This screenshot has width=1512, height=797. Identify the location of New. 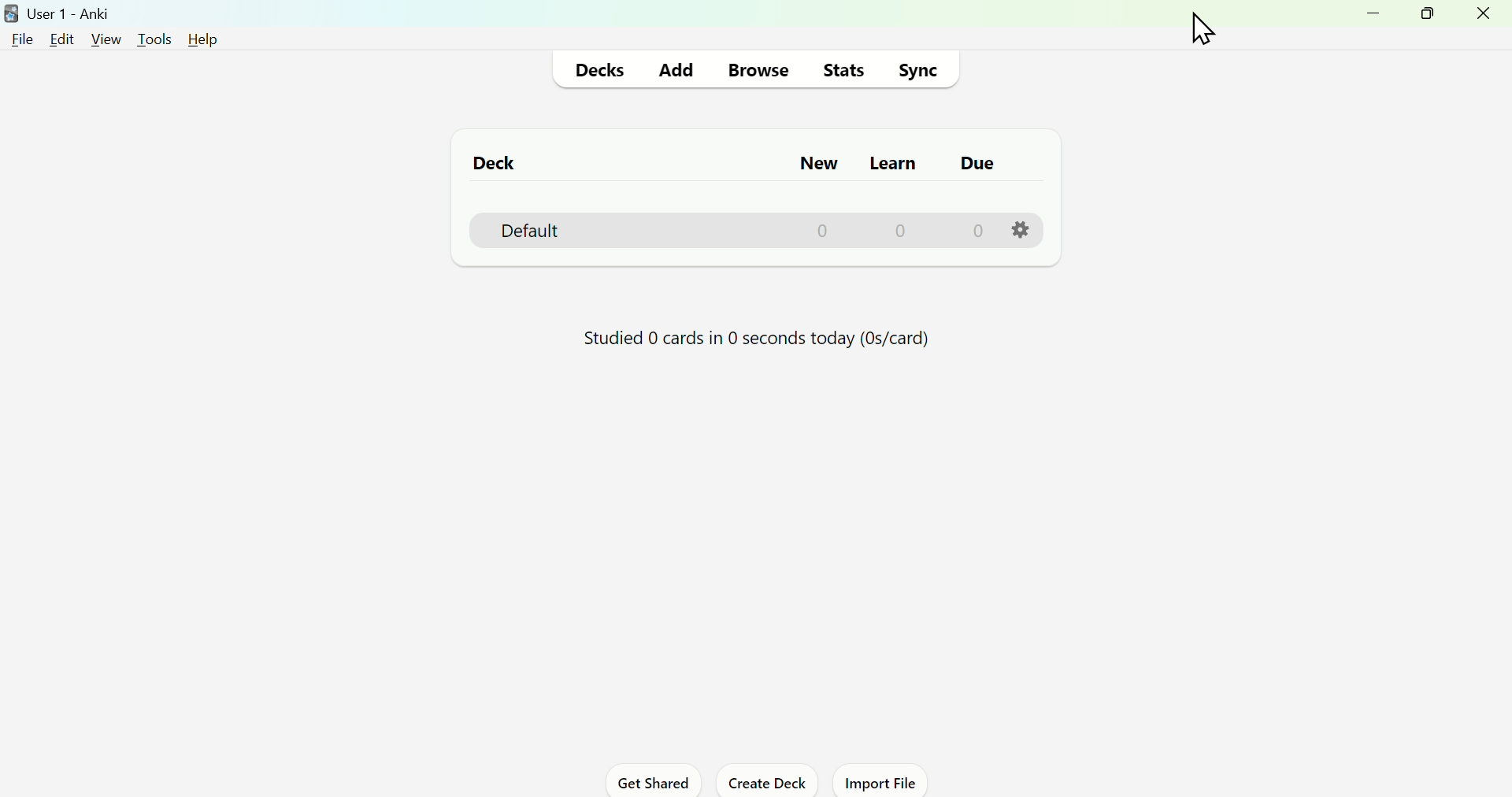
(827, 161).